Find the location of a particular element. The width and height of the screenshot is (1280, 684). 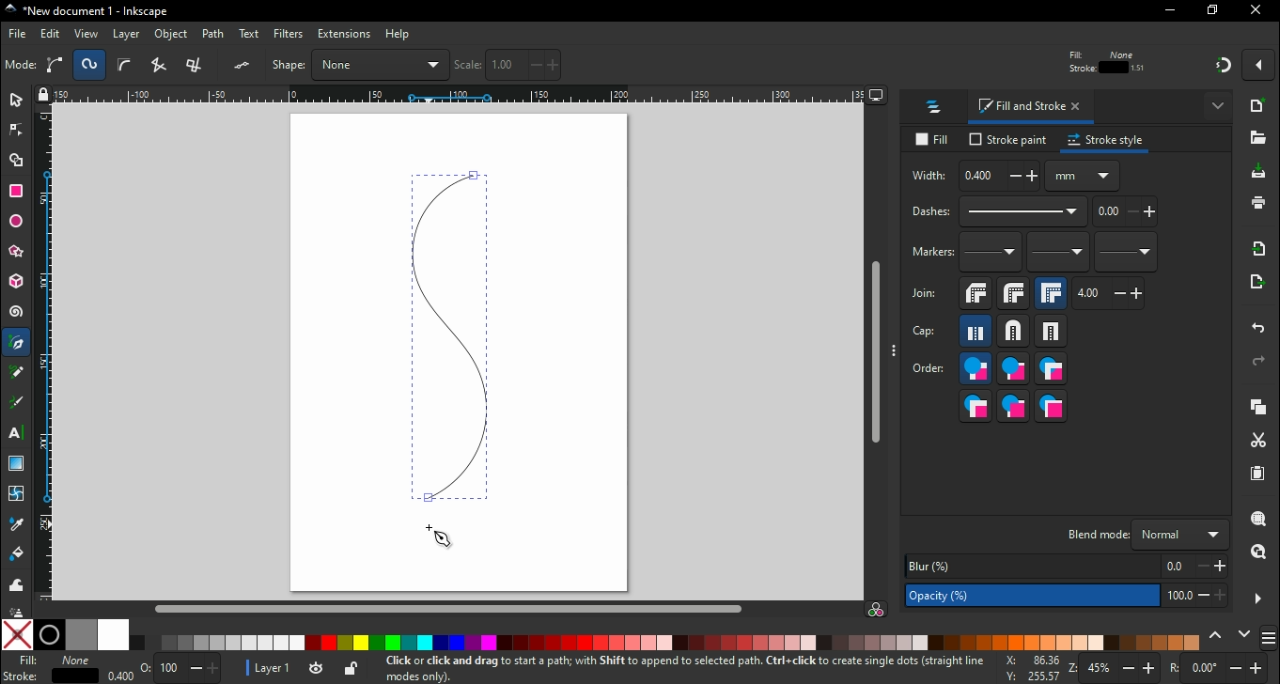

show is located at coordinates (1218, 108).